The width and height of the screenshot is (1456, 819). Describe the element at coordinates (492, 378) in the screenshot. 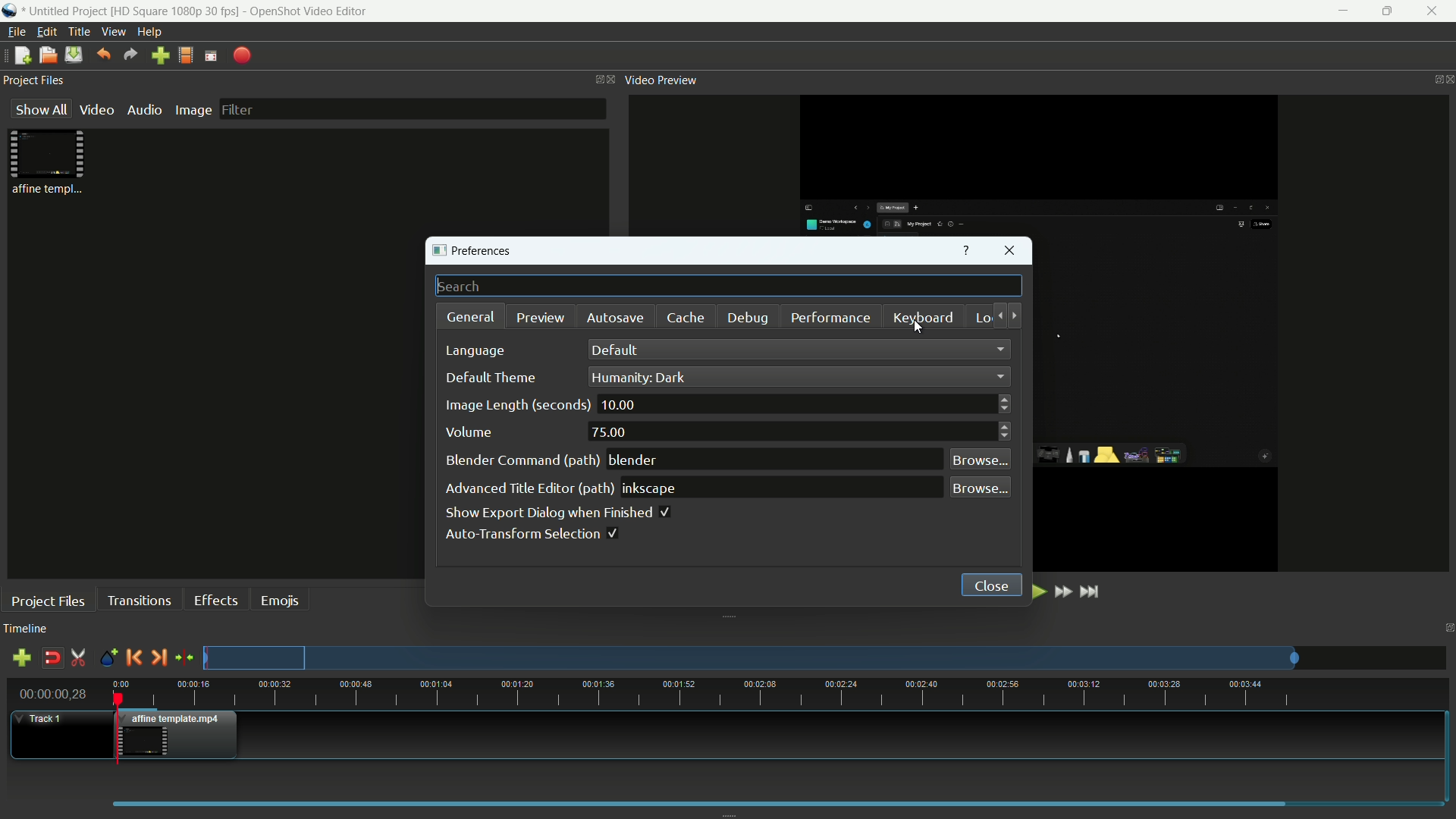

I see `default theme` at that location.